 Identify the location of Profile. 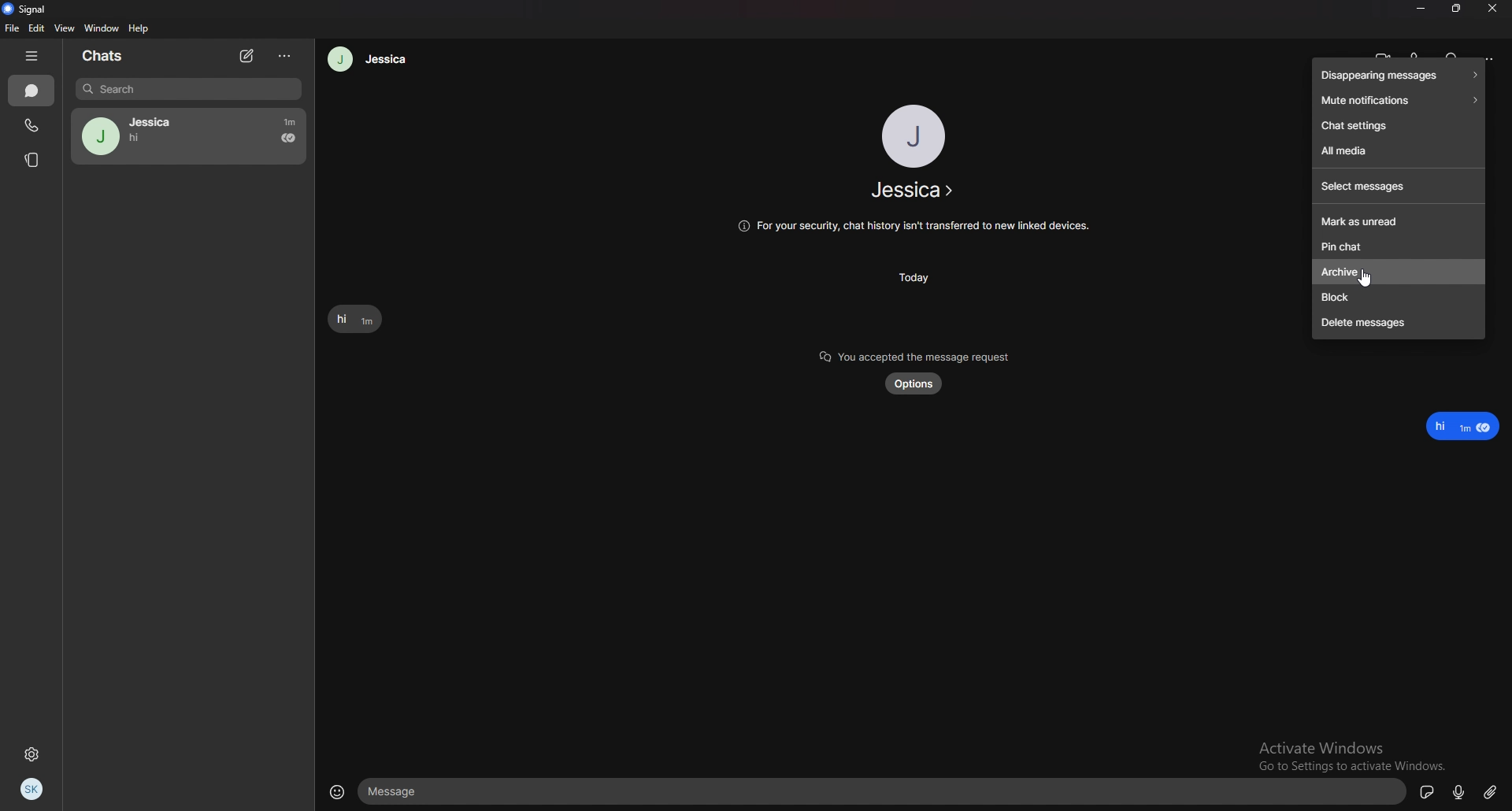
(33, 789).